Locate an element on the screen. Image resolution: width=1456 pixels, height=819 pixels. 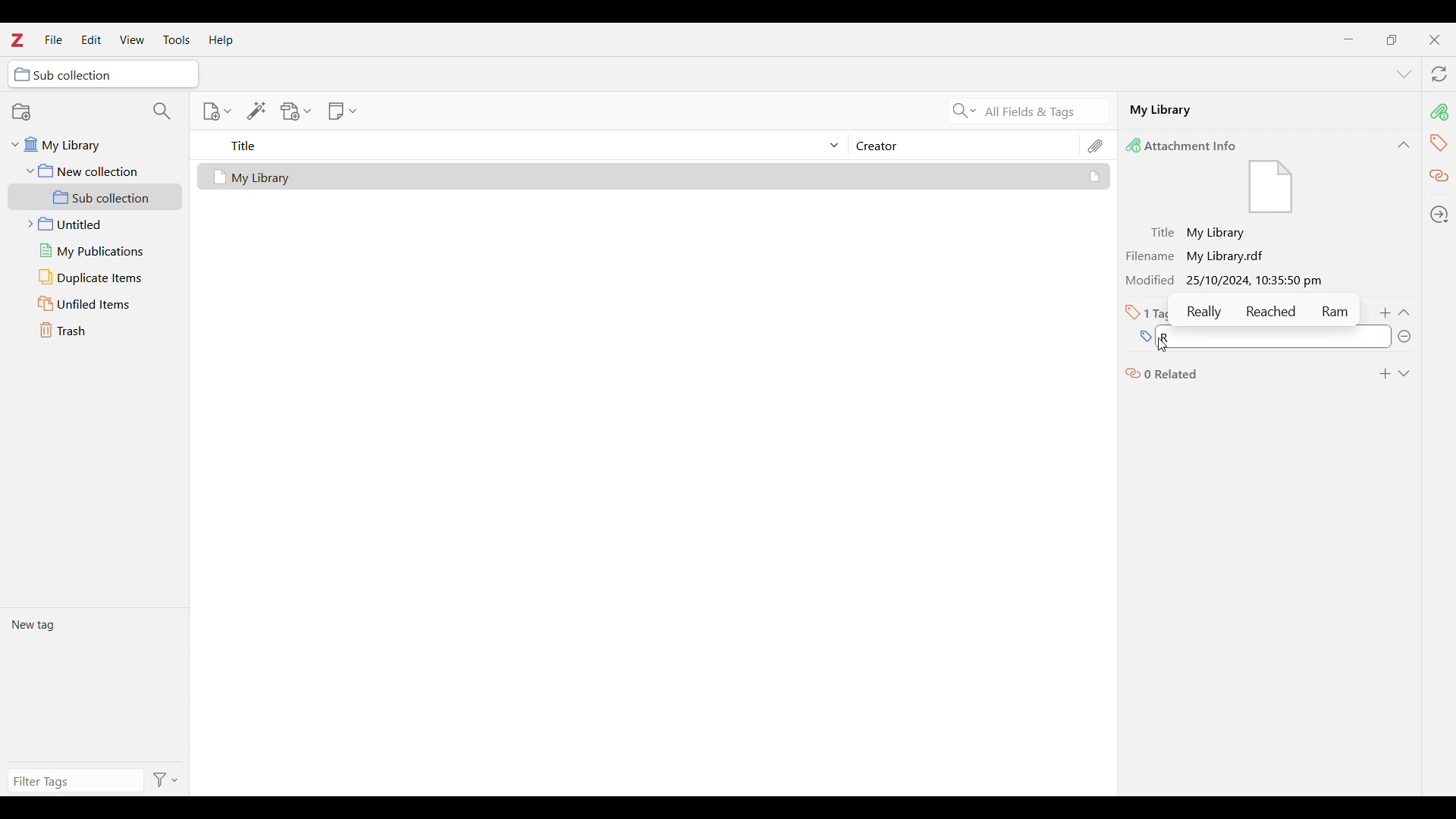
New note options is located at coordinates (343, 111).